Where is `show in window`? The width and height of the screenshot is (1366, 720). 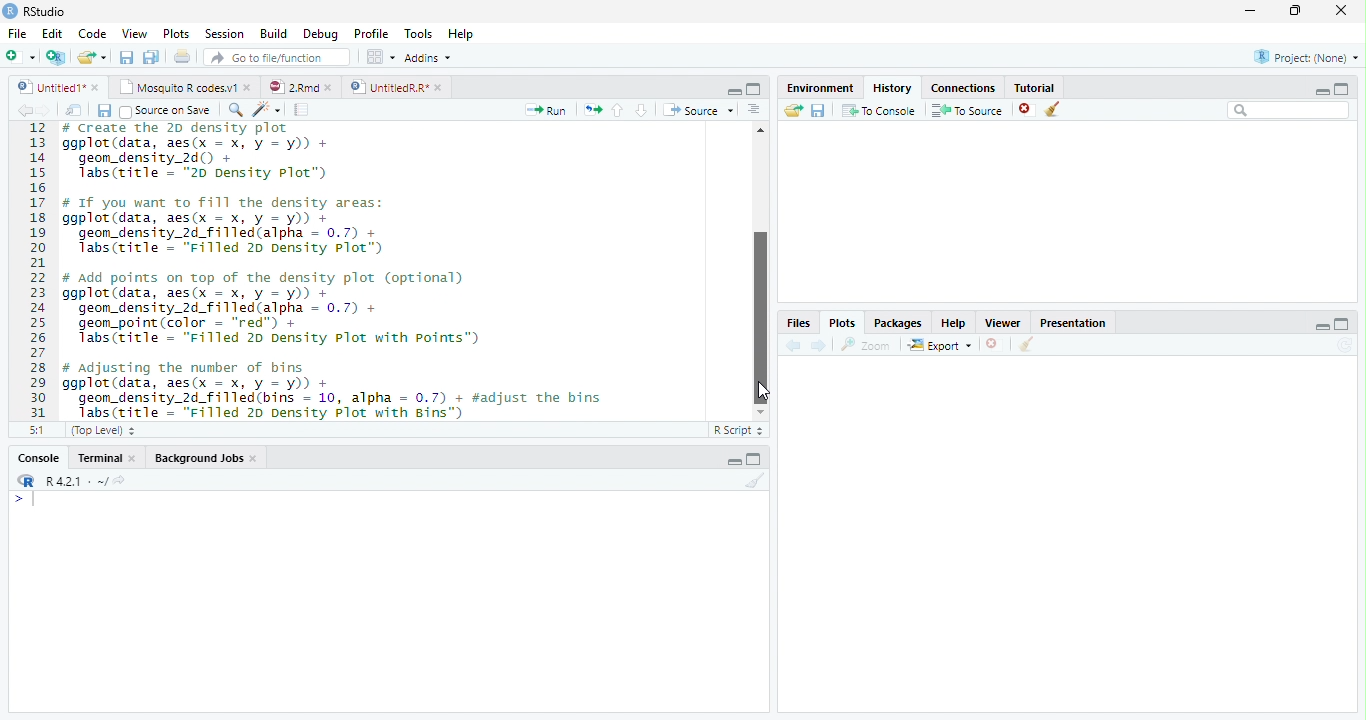 show in window is located at coordinates (75, 111).